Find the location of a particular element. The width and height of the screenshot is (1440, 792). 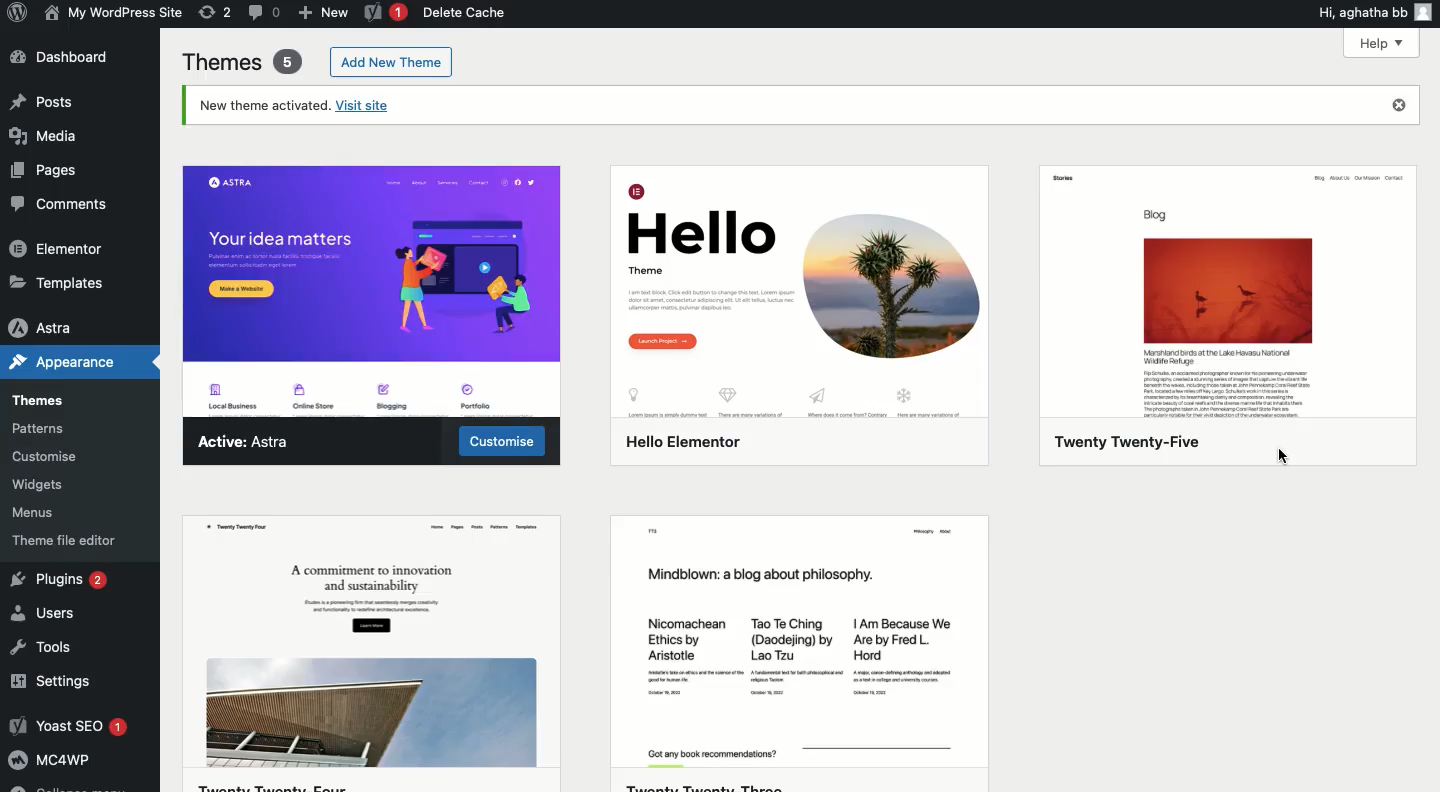

Customize is located at coordinates (503, 438).